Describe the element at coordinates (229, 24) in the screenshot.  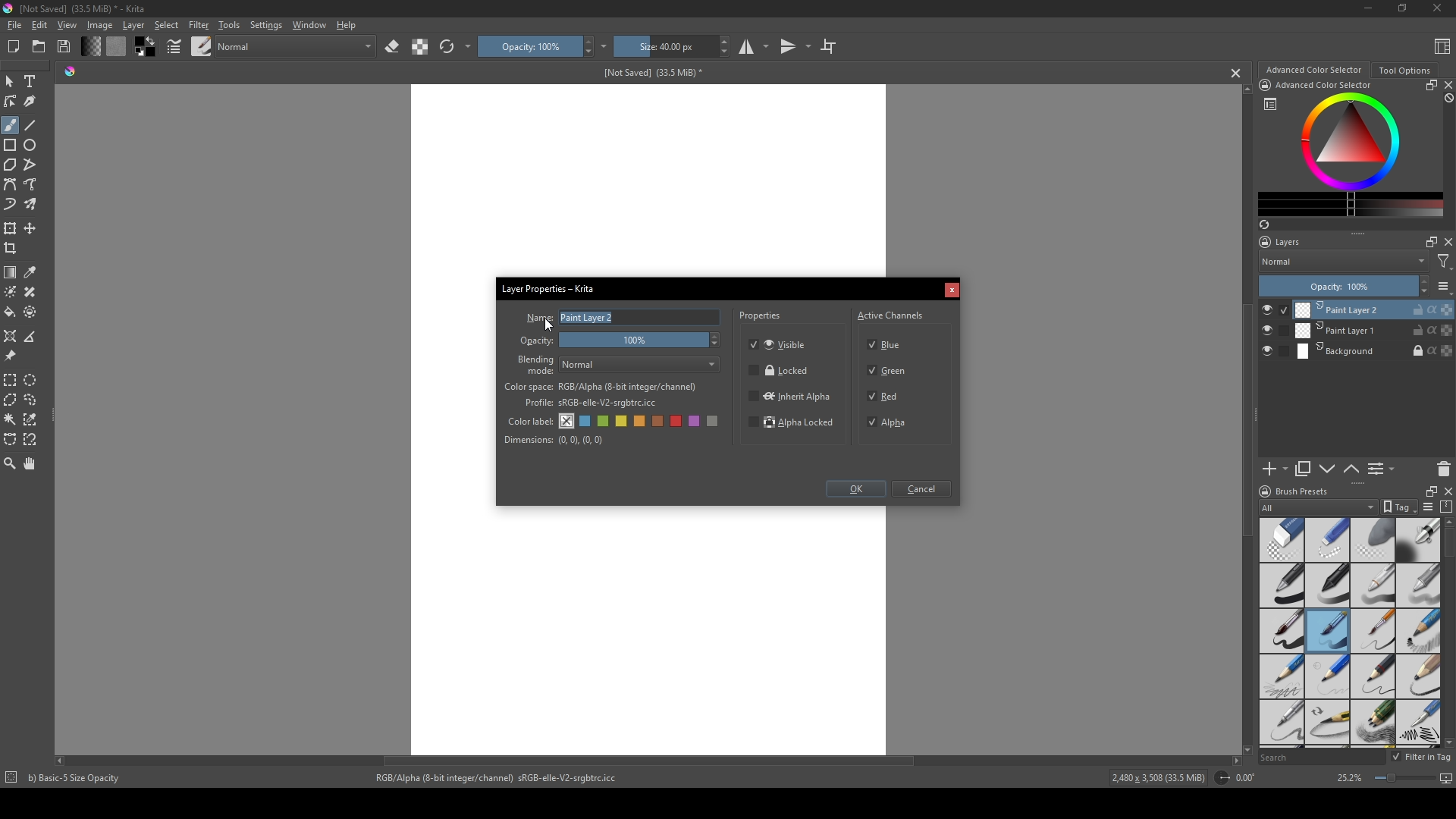
I see `Tools` at that location.